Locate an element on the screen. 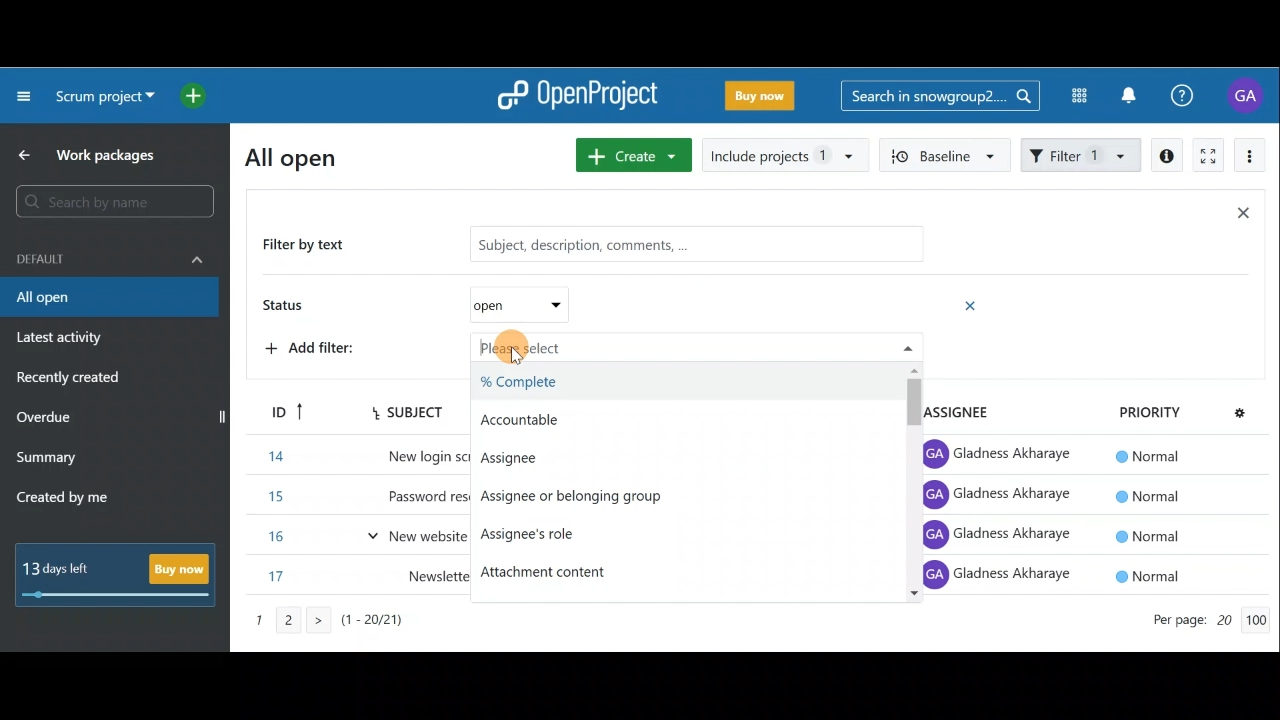  Item 7 is located at coordinates (1052, 498).